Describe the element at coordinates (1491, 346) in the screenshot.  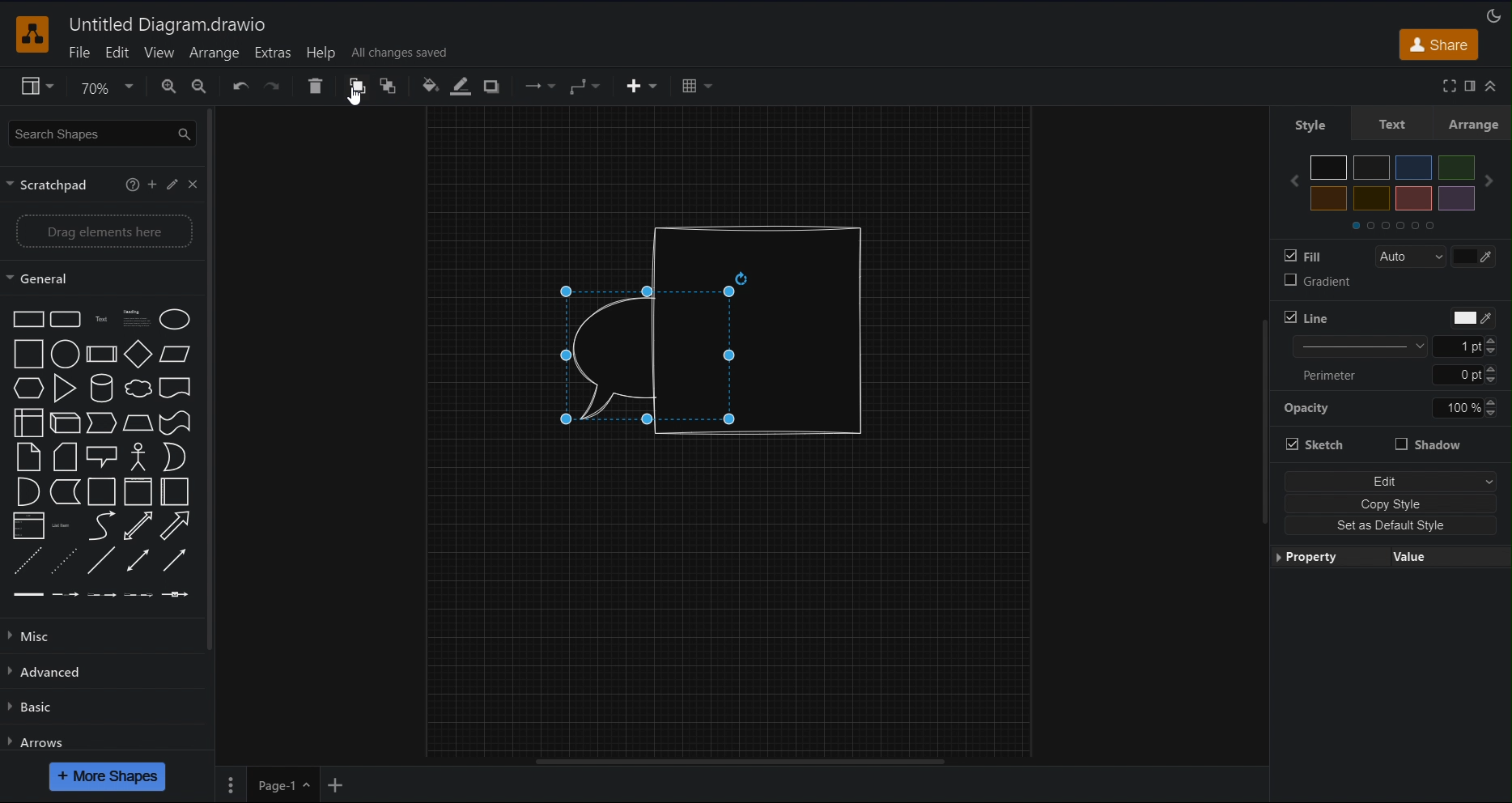
I see `Increase/Decrease line thickness` at that location.